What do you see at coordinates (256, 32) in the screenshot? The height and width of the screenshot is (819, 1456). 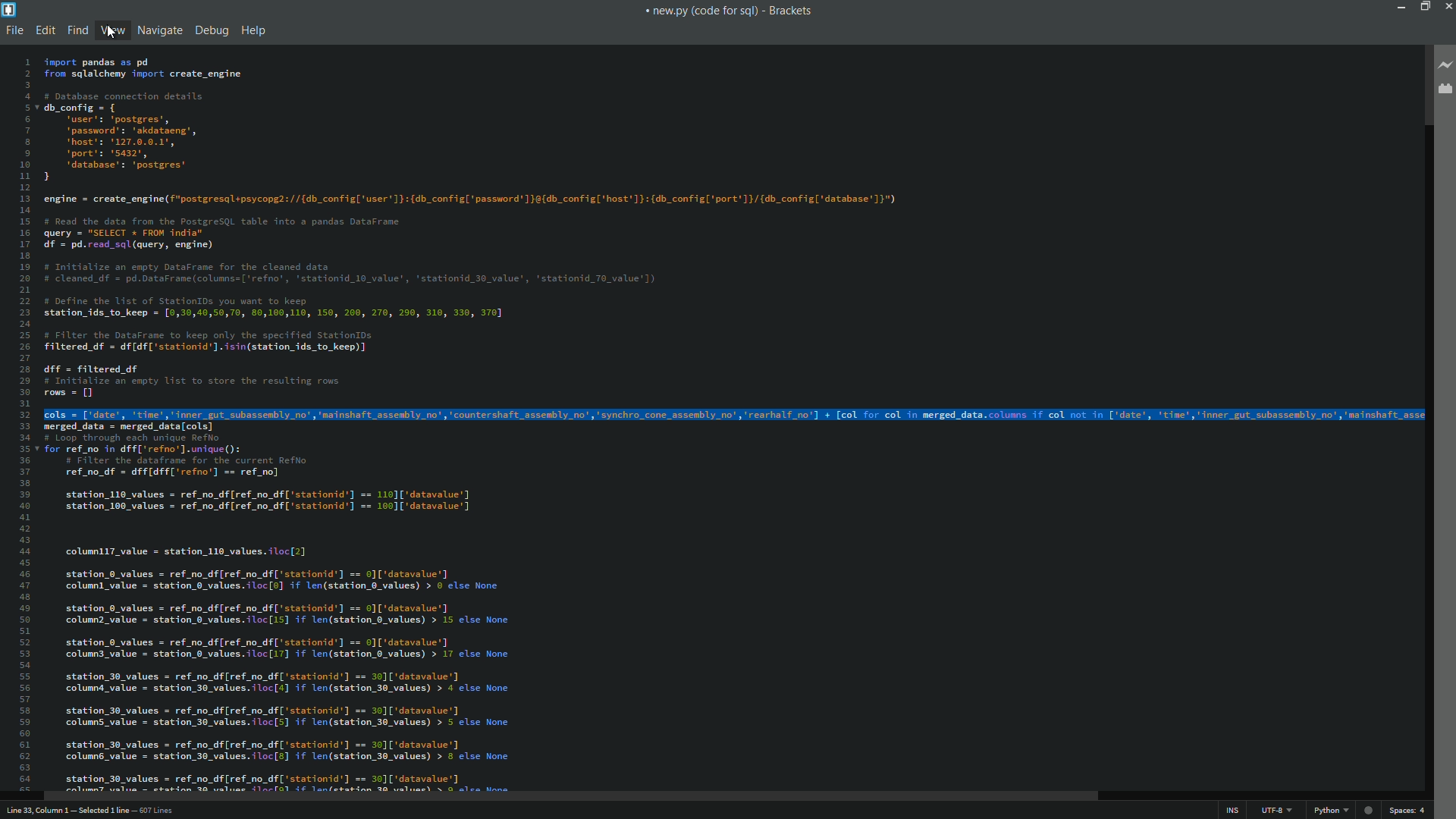 I see `help menu` at bounding box center [256, 32].